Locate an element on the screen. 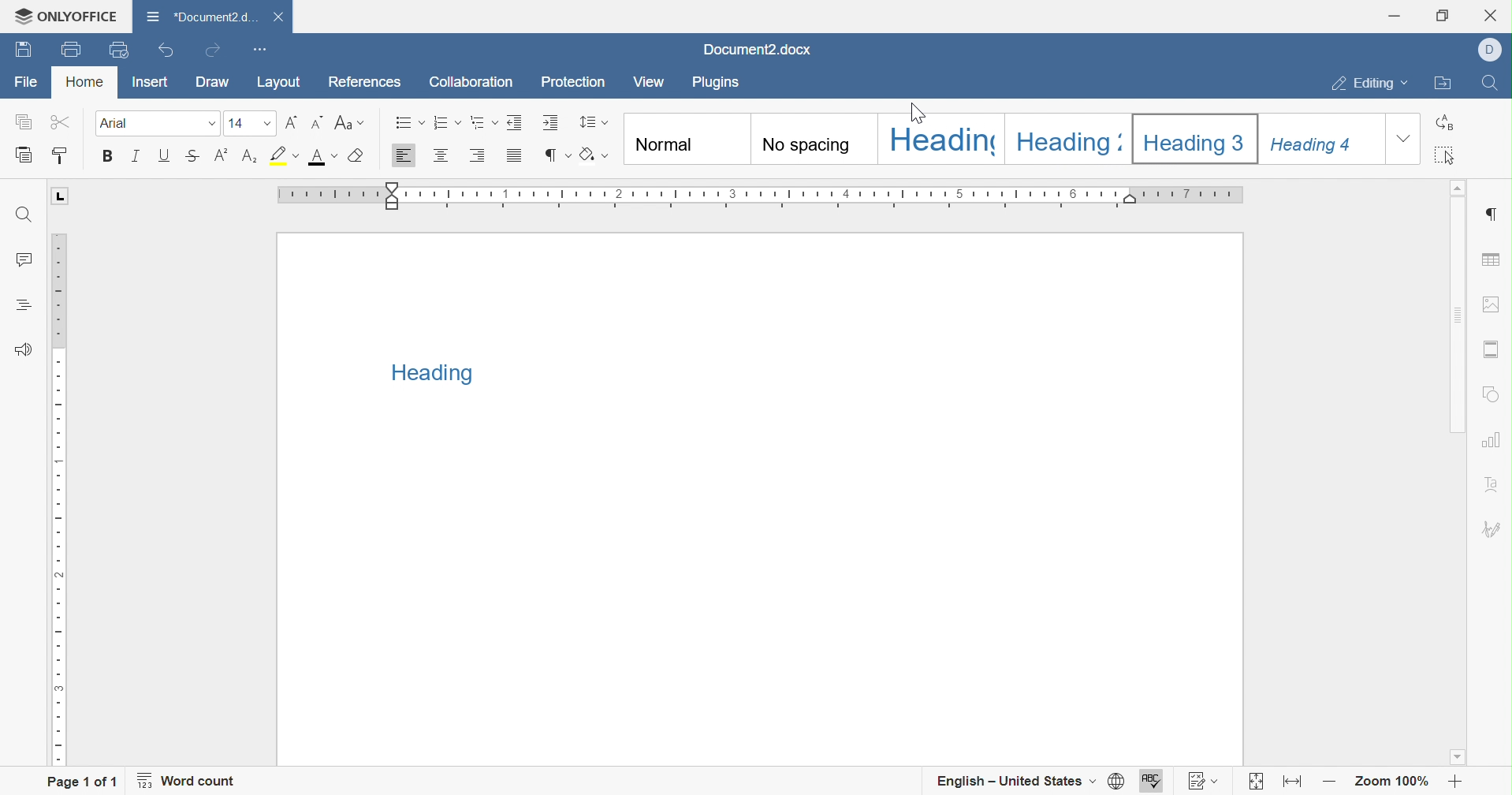 This screenshot has width=1512, height=795. Clear is located at coordinates (353, 157).